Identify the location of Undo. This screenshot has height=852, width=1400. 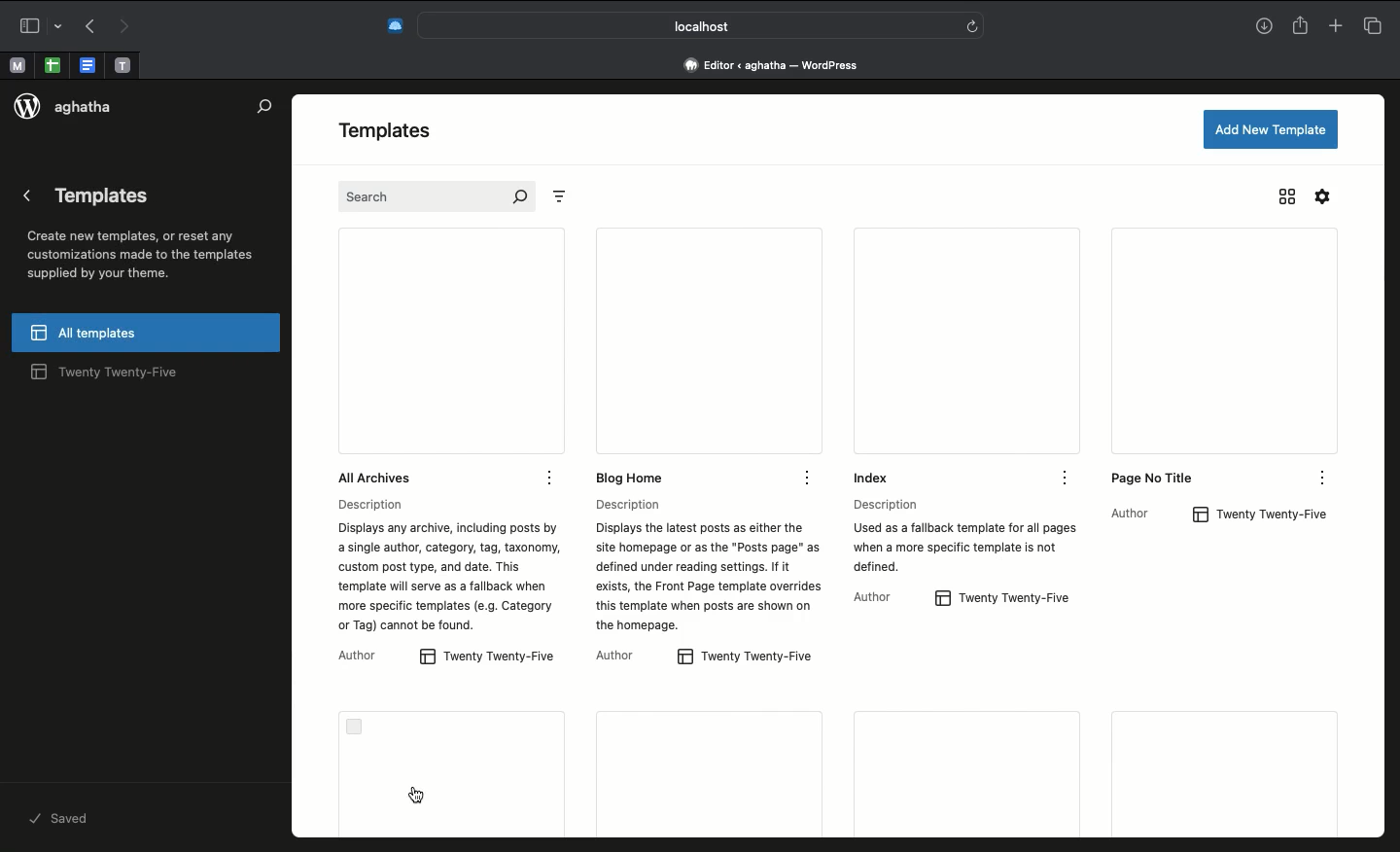
(90, 25).